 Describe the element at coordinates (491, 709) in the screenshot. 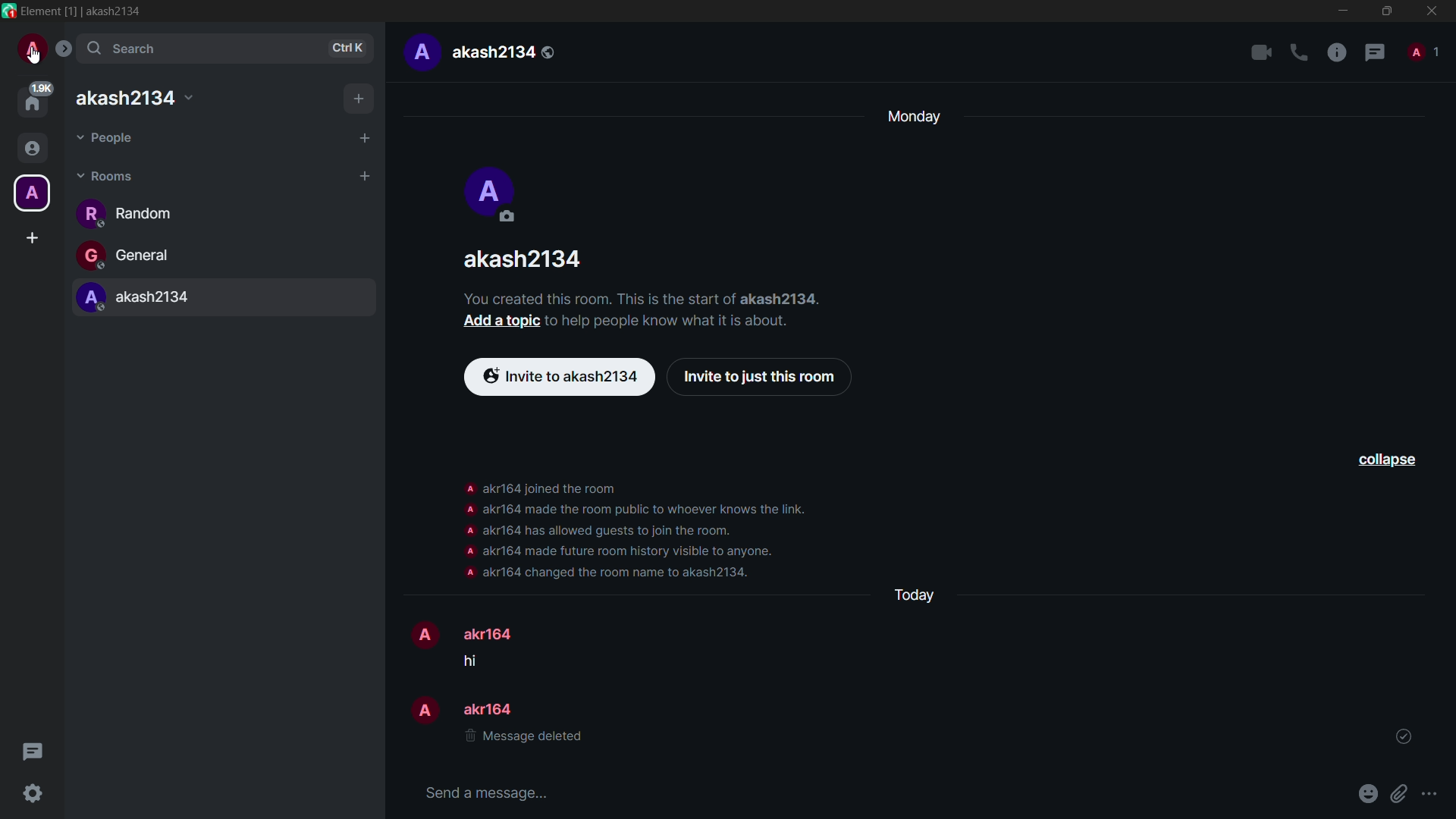

I see `akr164` at that location.